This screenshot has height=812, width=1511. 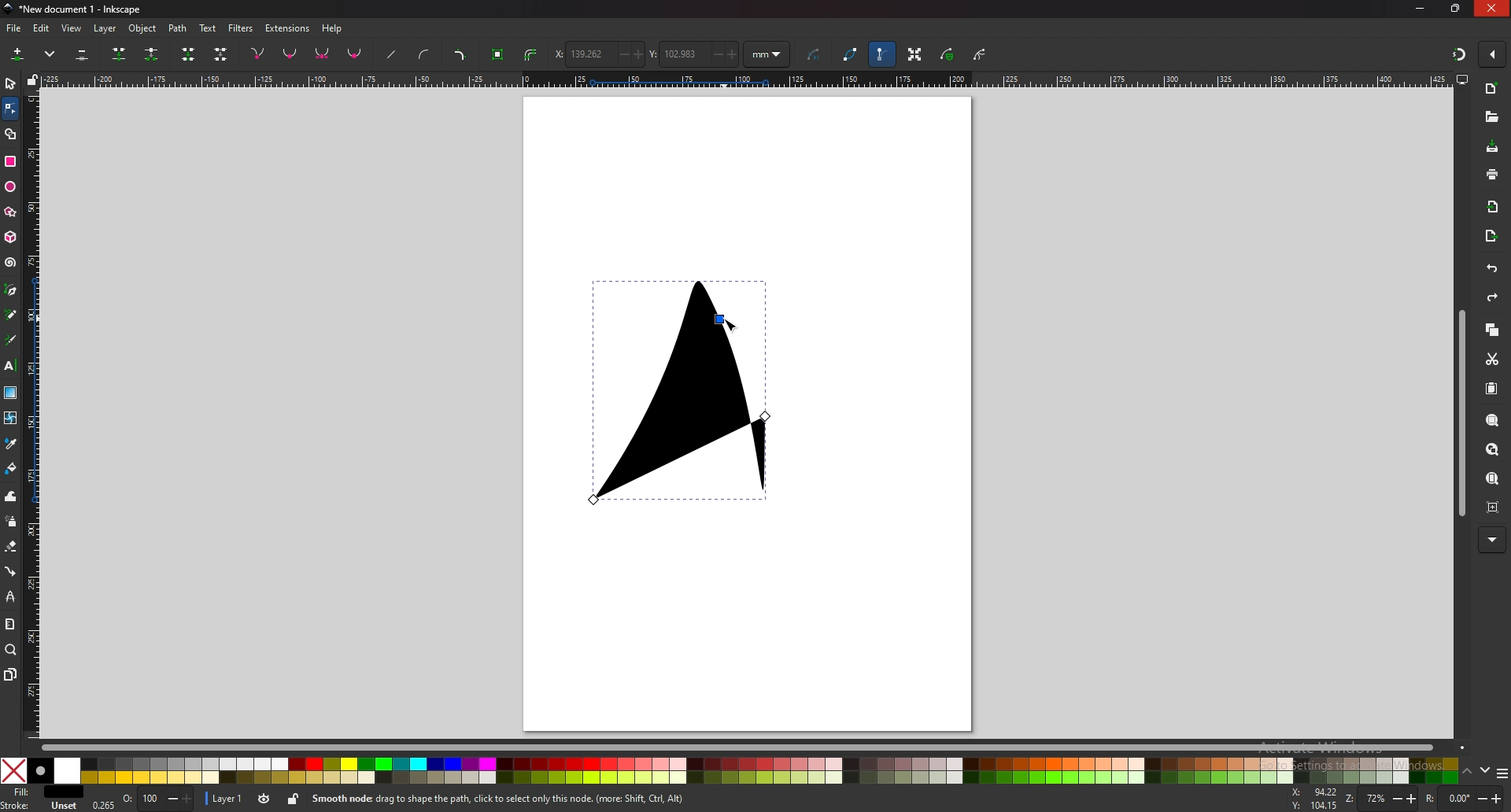 I want to click on path, so click(x=179, y=29).